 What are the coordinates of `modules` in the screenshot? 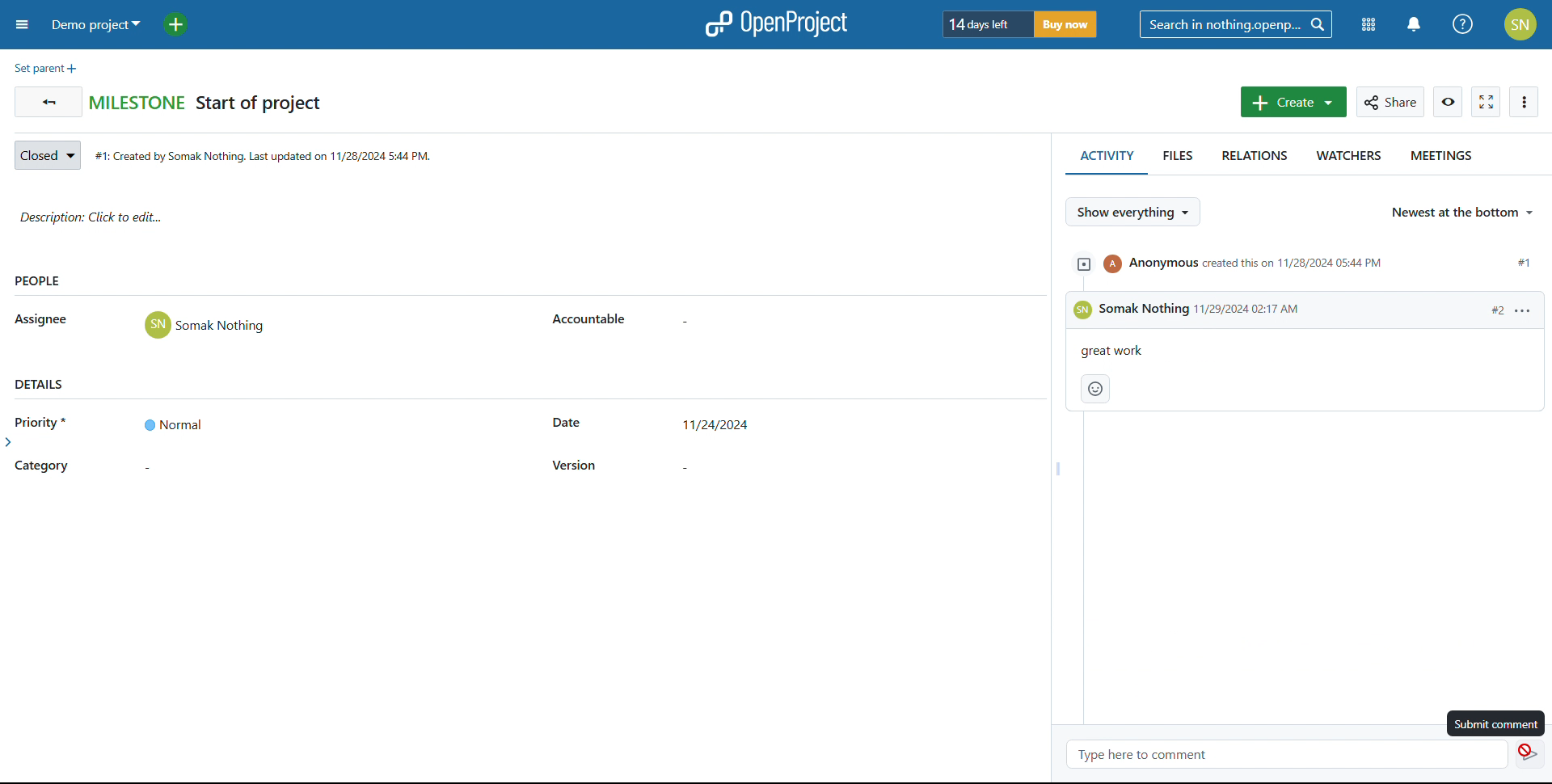 It's located at (1366, 26).